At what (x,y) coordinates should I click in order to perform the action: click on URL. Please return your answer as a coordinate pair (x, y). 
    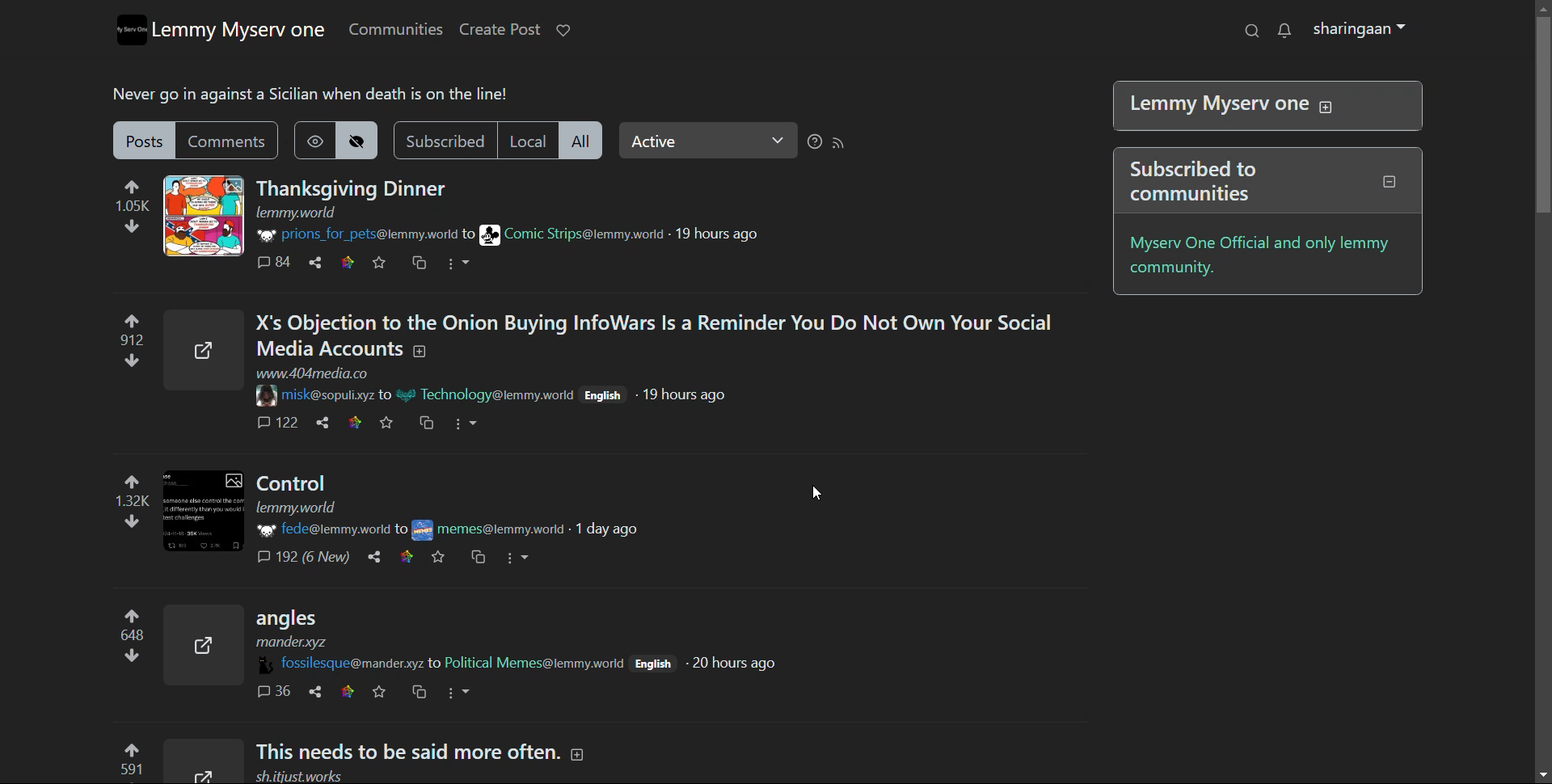
    Looking at the image, I should click on (297, 213).